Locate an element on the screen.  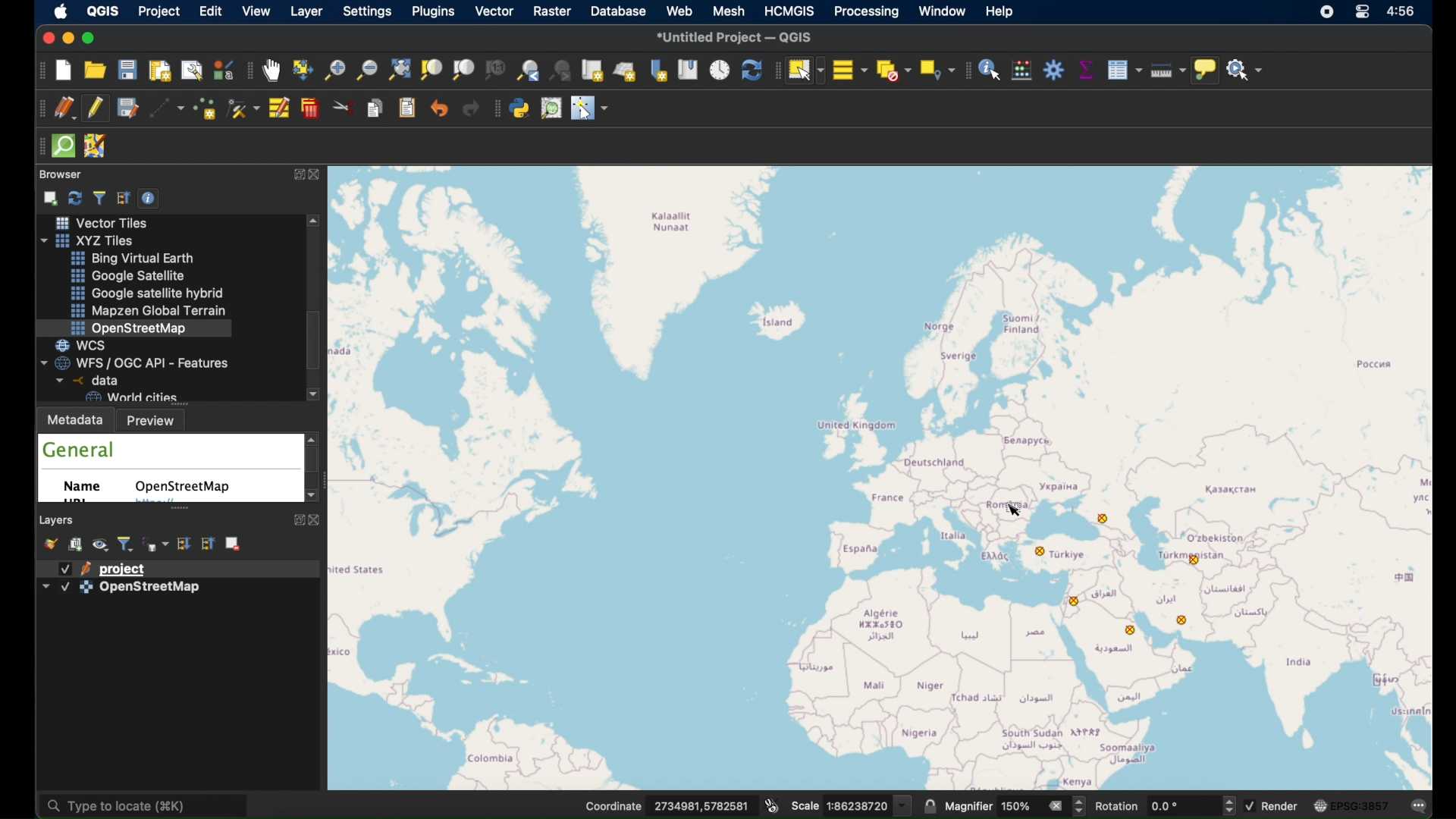
switches the mouse cursor to a configurable pointer is located at coordinates (590, 108).